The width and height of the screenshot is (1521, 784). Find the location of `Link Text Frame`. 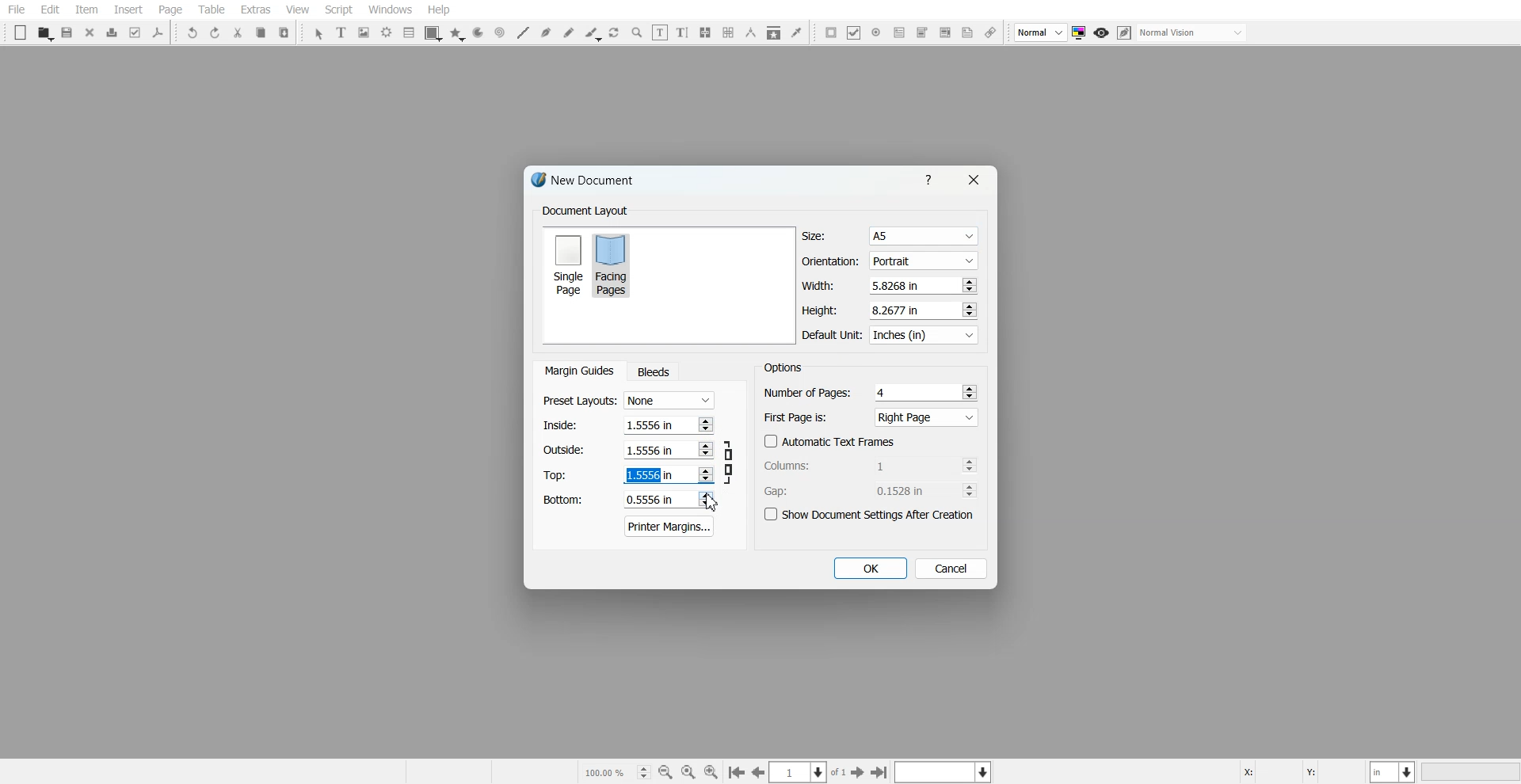

Link Text Frame is located at coordinates (705, 32).